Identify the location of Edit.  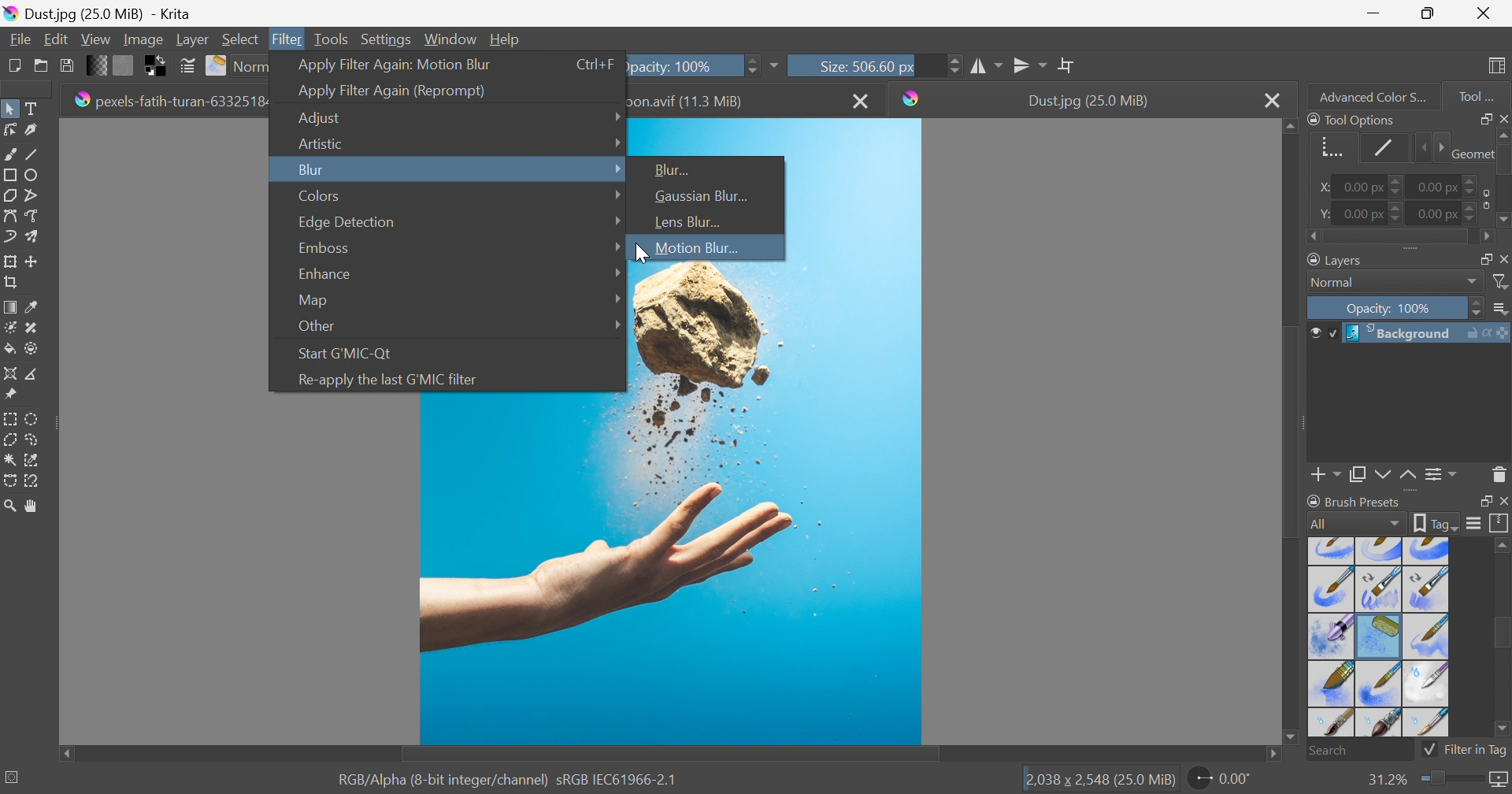
(55, 39).